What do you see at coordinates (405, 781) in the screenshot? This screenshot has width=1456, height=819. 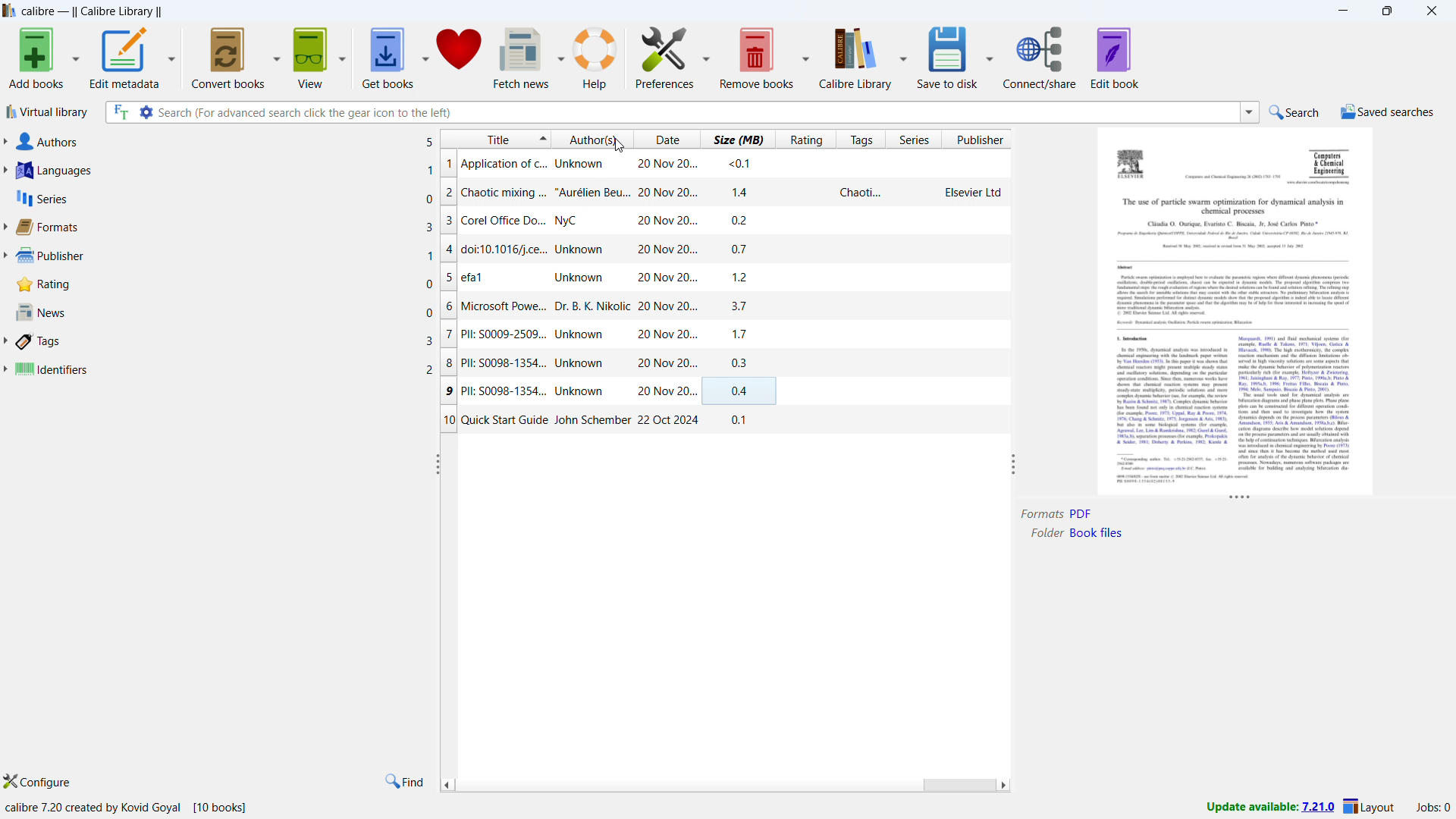 I see `find in tags` at bounding box center [405, 781].